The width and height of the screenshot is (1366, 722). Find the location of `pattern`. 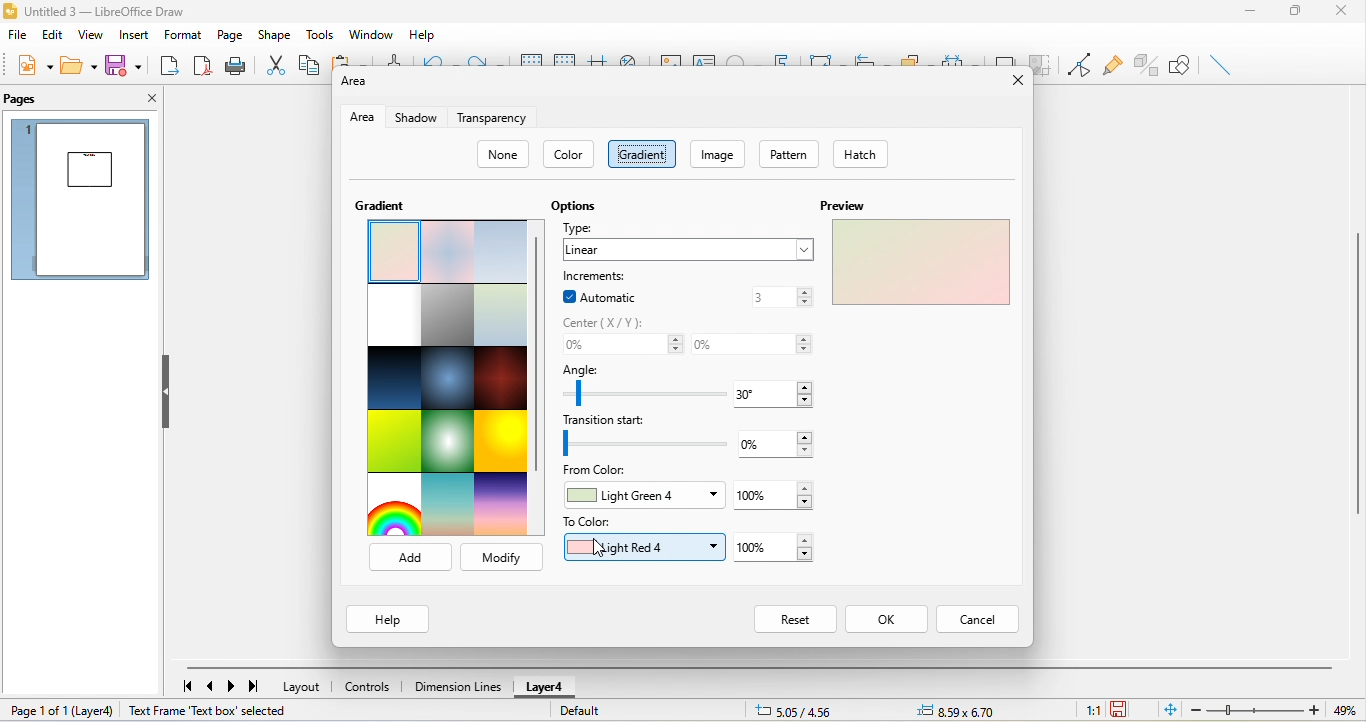

pattern is located at coordinates (794, 155).